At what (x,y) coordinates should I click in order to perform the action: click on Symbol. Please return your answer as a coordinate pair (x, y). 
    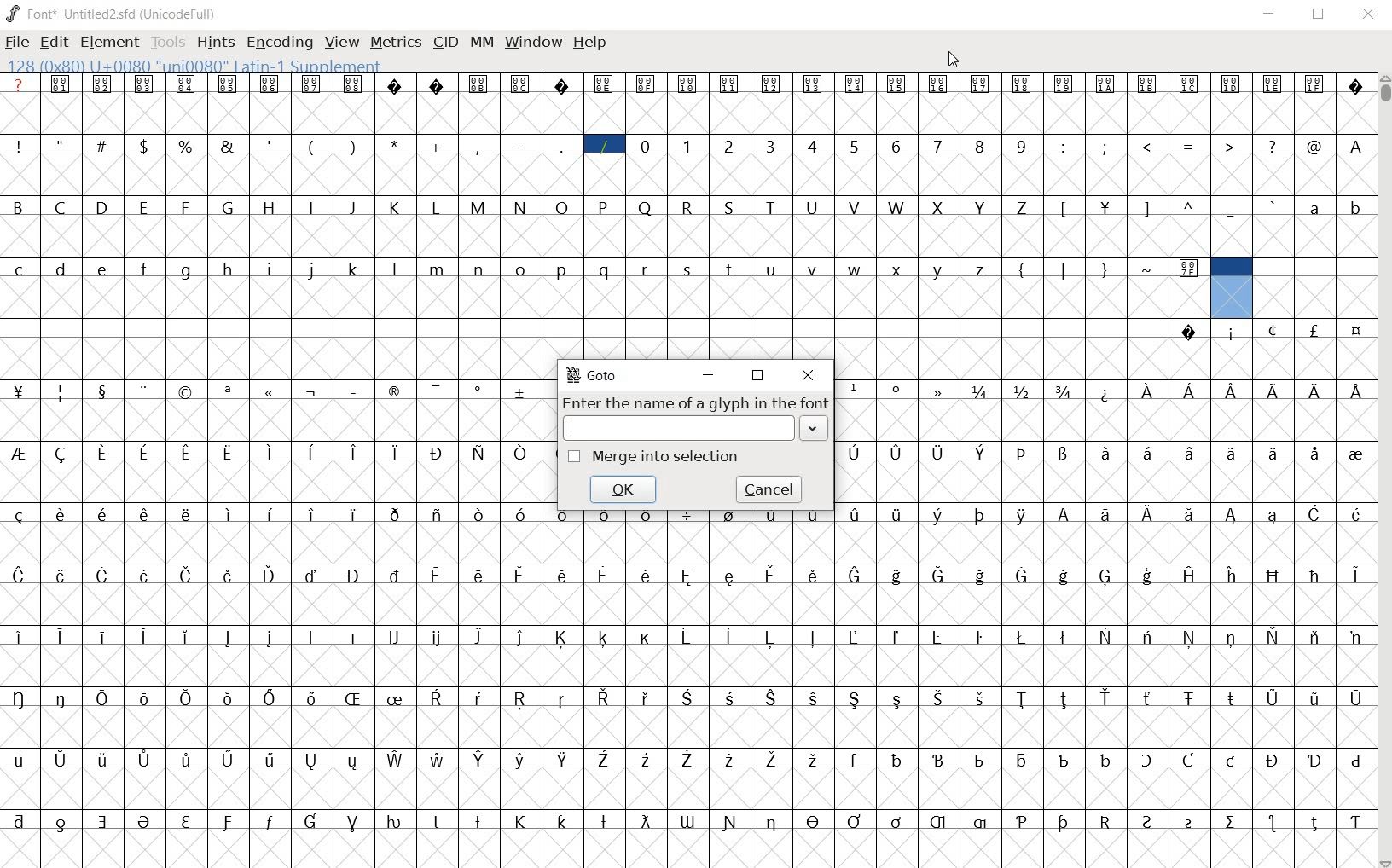
    Looking at the image, I should click on (1314, 454).